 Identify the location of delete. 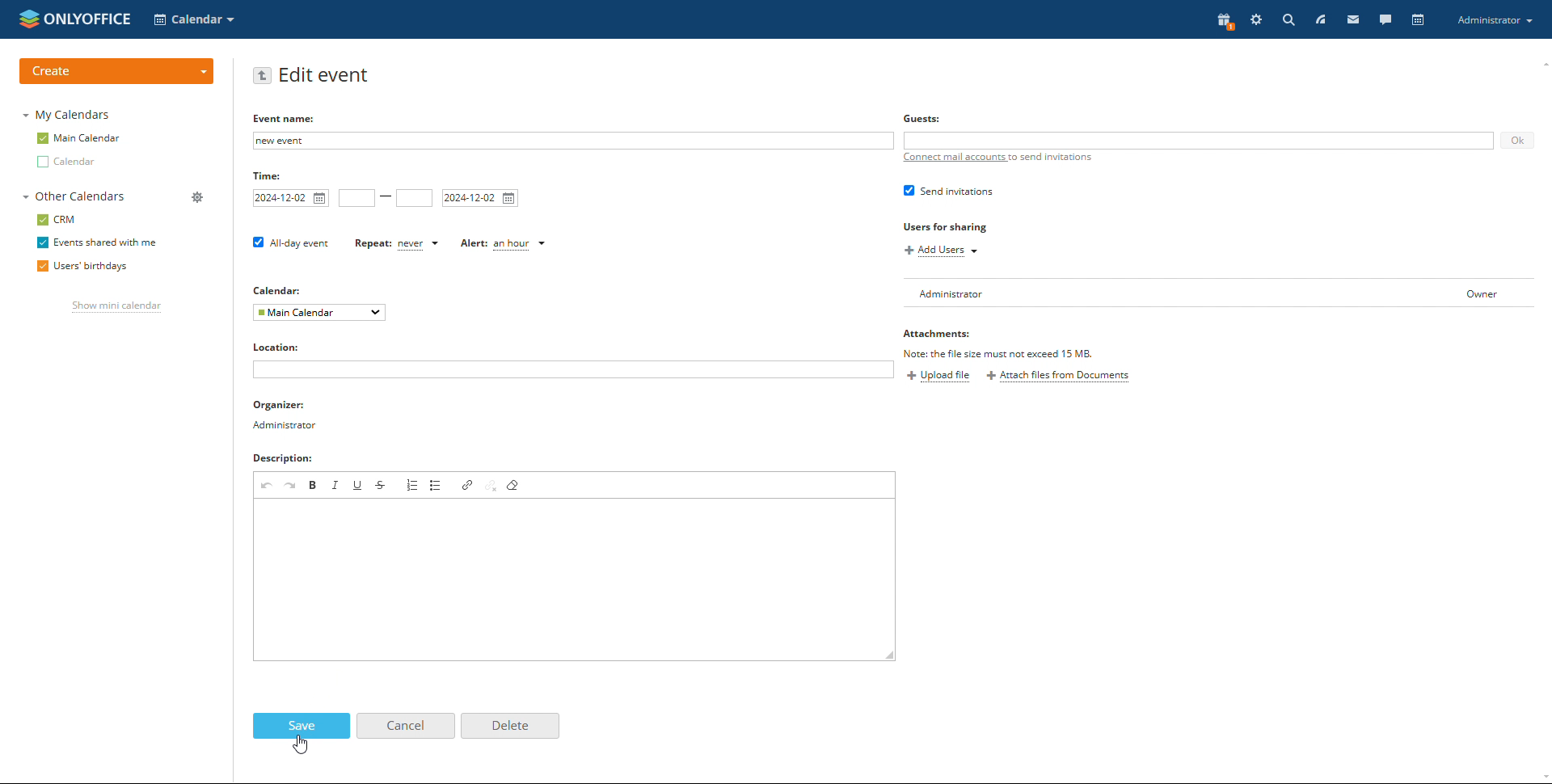
(511, 726).